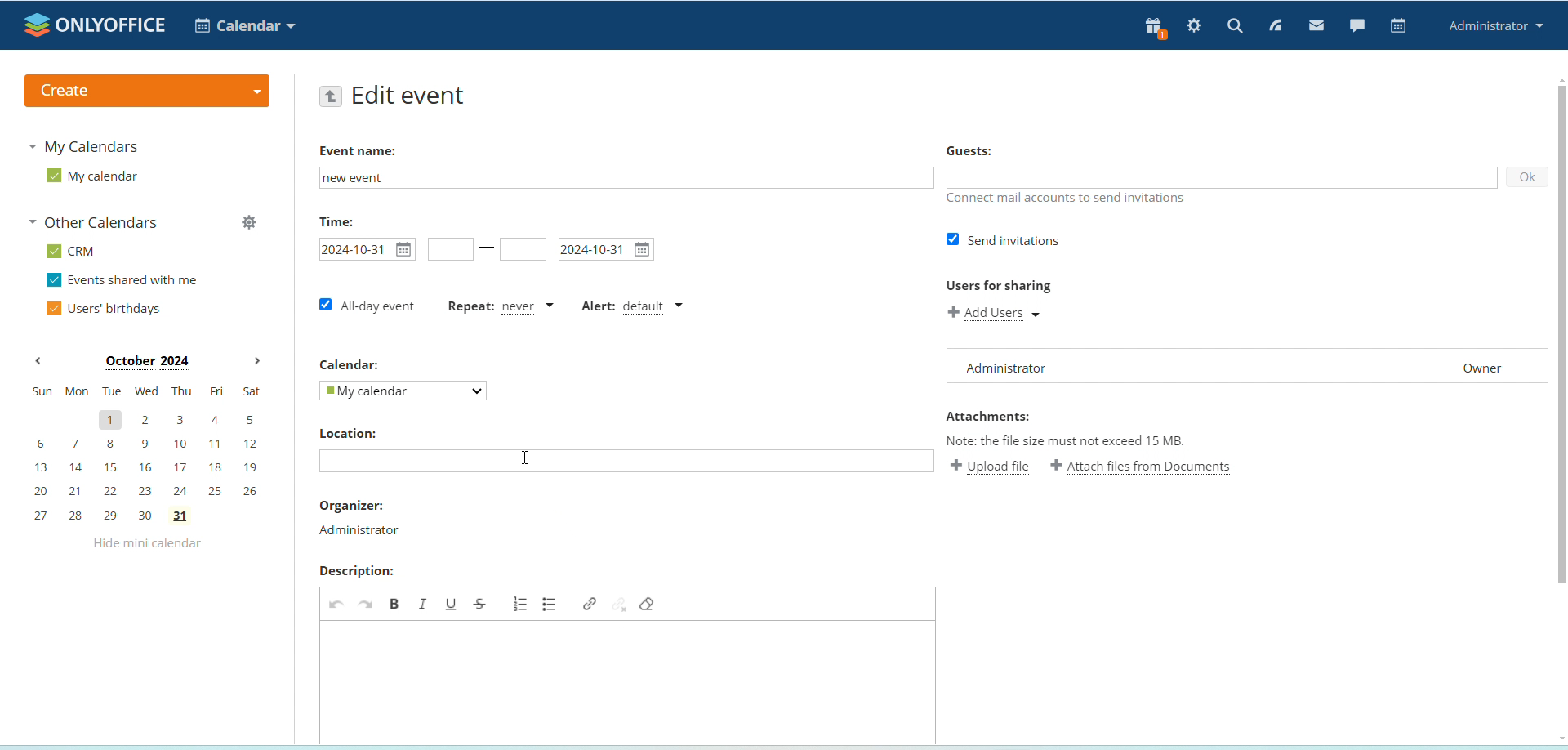 The image size is (1568, 750). What do you see at coordinates (1526, 178) in the screenshot?
I see `ok` at bounding box center [1526, 178].